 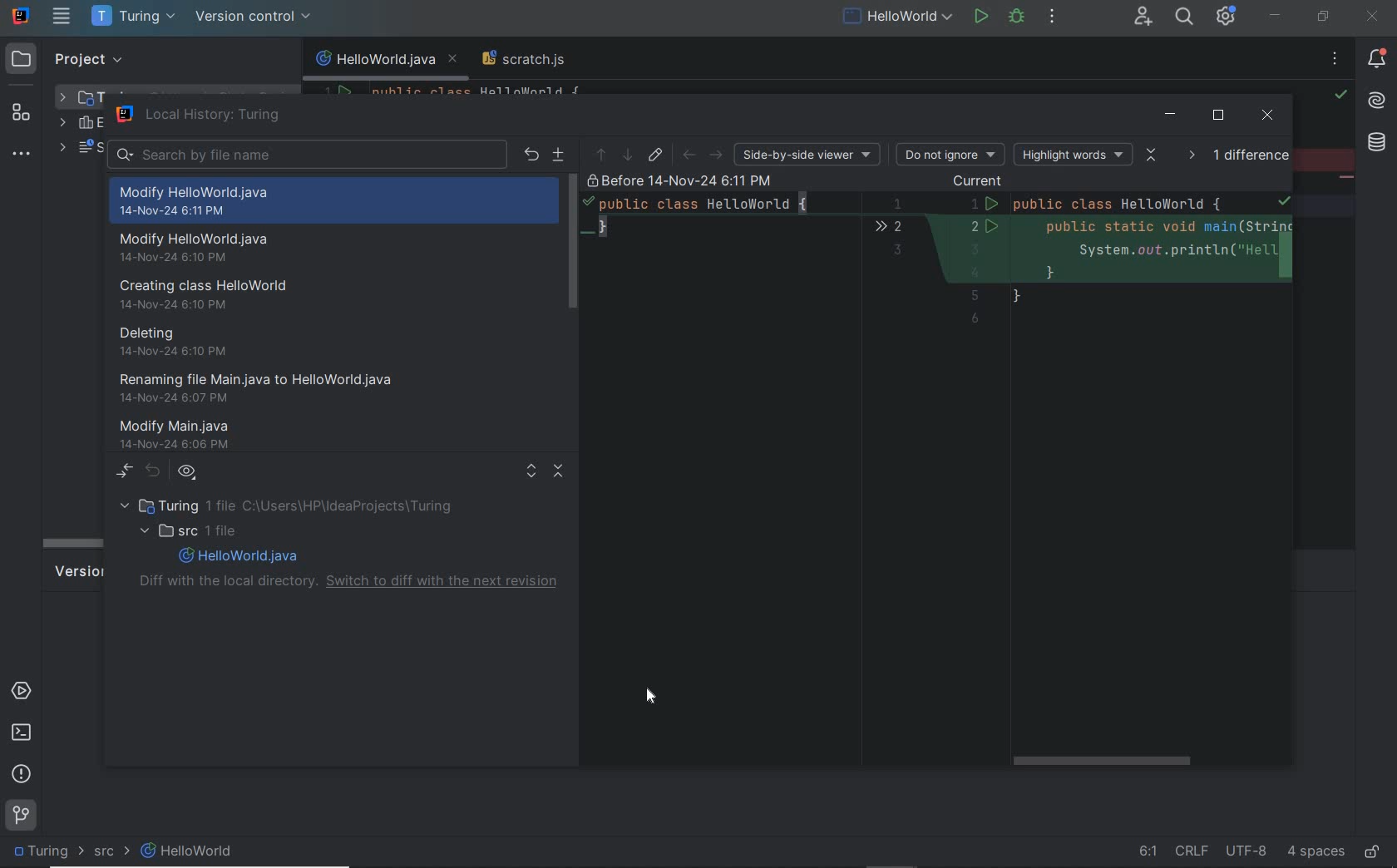 I want to click on scrollbar, so click(x=1104, y=764).